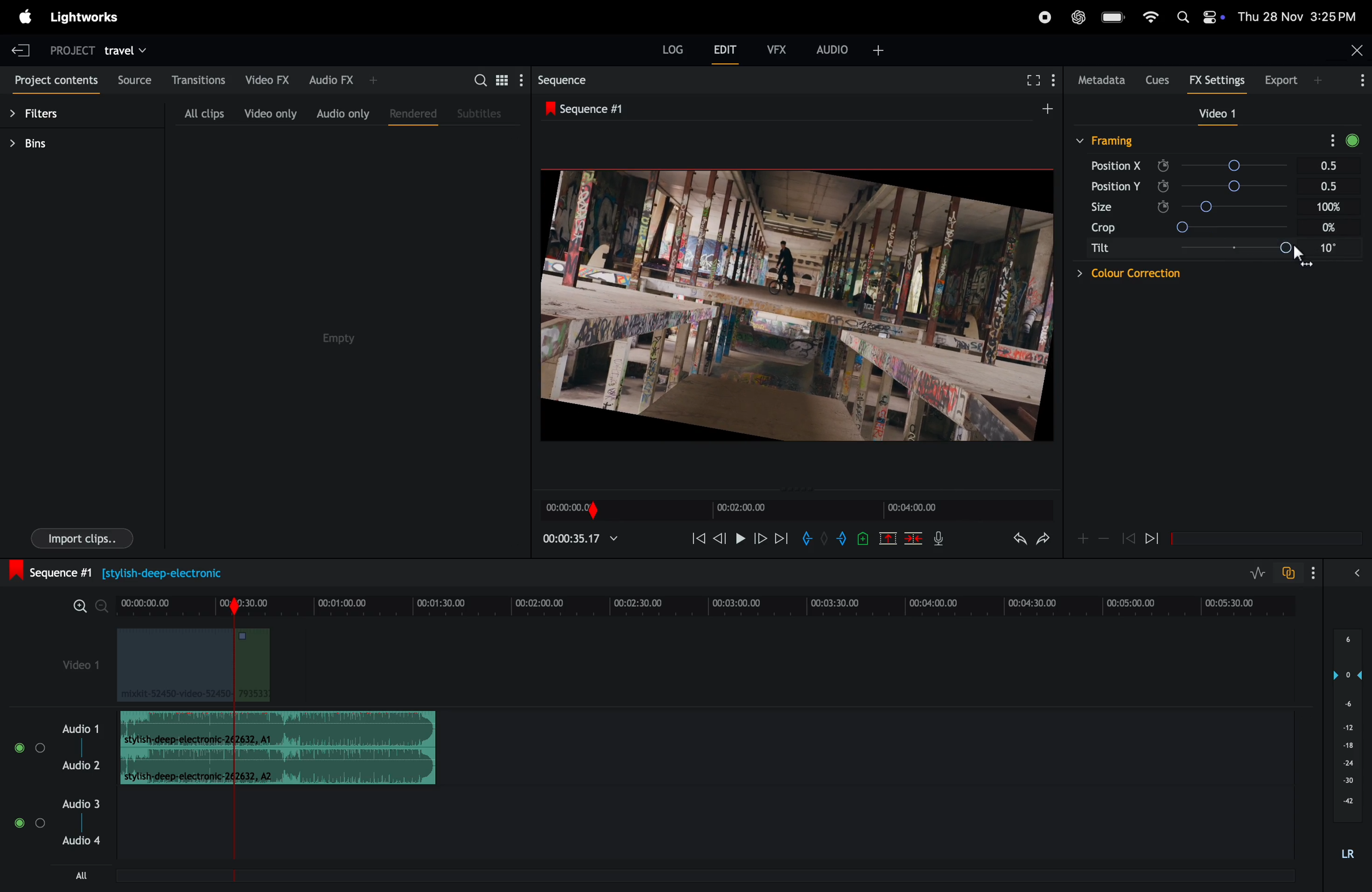 Image resolution: width=1372 pixels, height=892 pixels. I want to click on next frame, so click(759, 540).